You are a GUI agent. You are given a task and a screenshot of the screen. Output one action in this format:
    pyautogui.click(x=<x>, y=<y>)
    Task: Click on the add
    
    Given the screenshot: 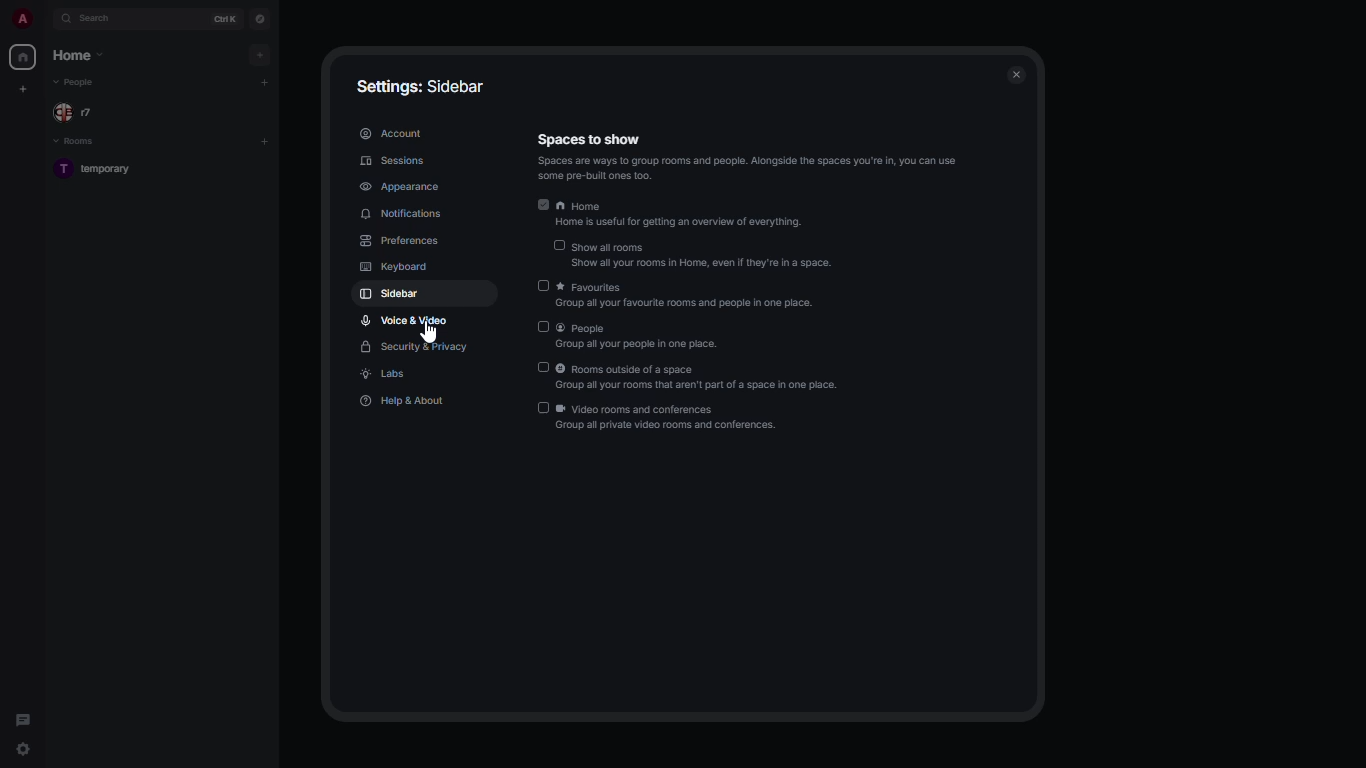 What is the action you would take?
    pyautogui.click(x=264, y=81)
    